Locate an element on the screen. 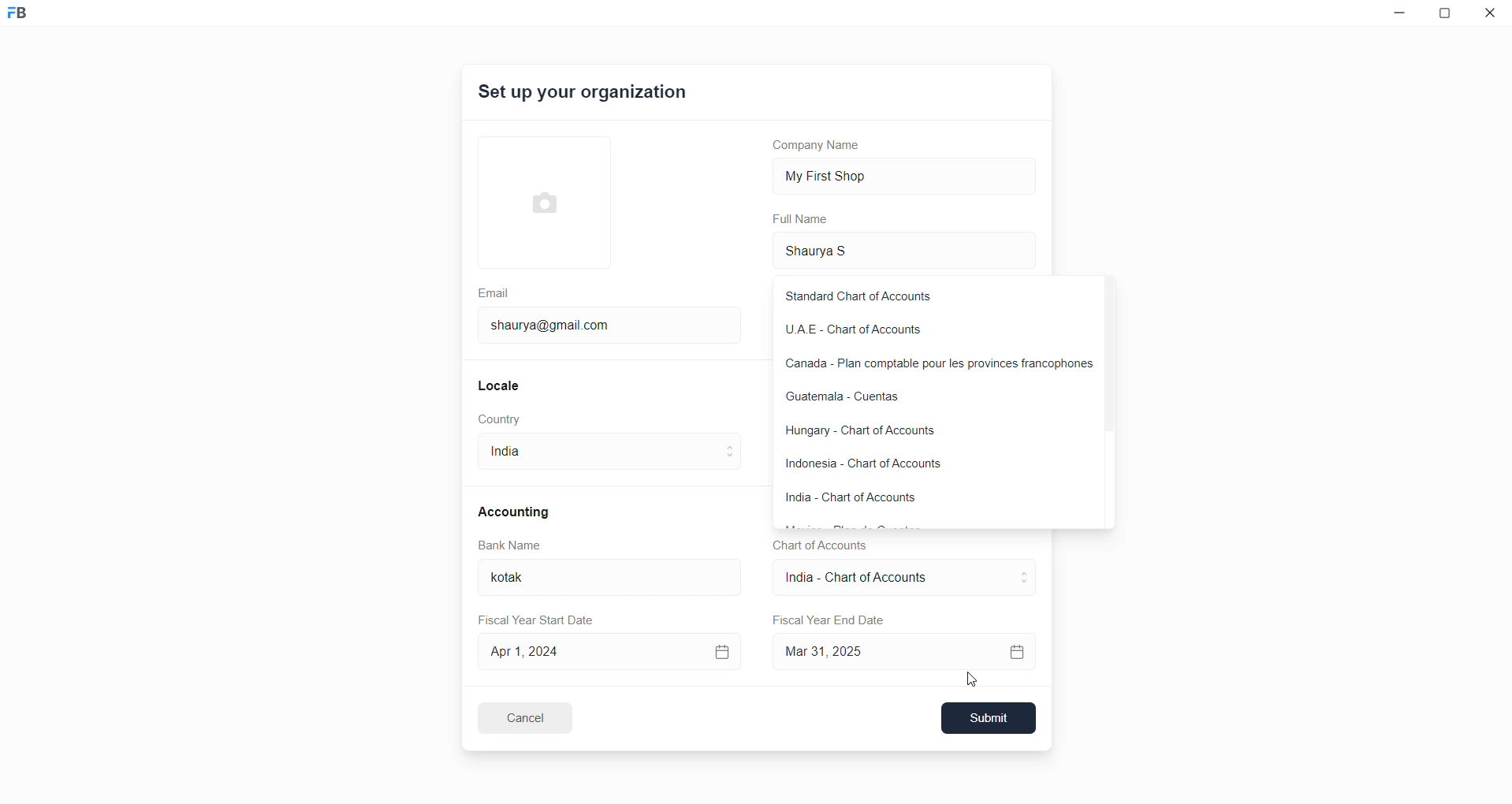 The width and height of the screenshot is (1512, 804). U.AE - Chart of Accounts is located at coordinates (888, 335).